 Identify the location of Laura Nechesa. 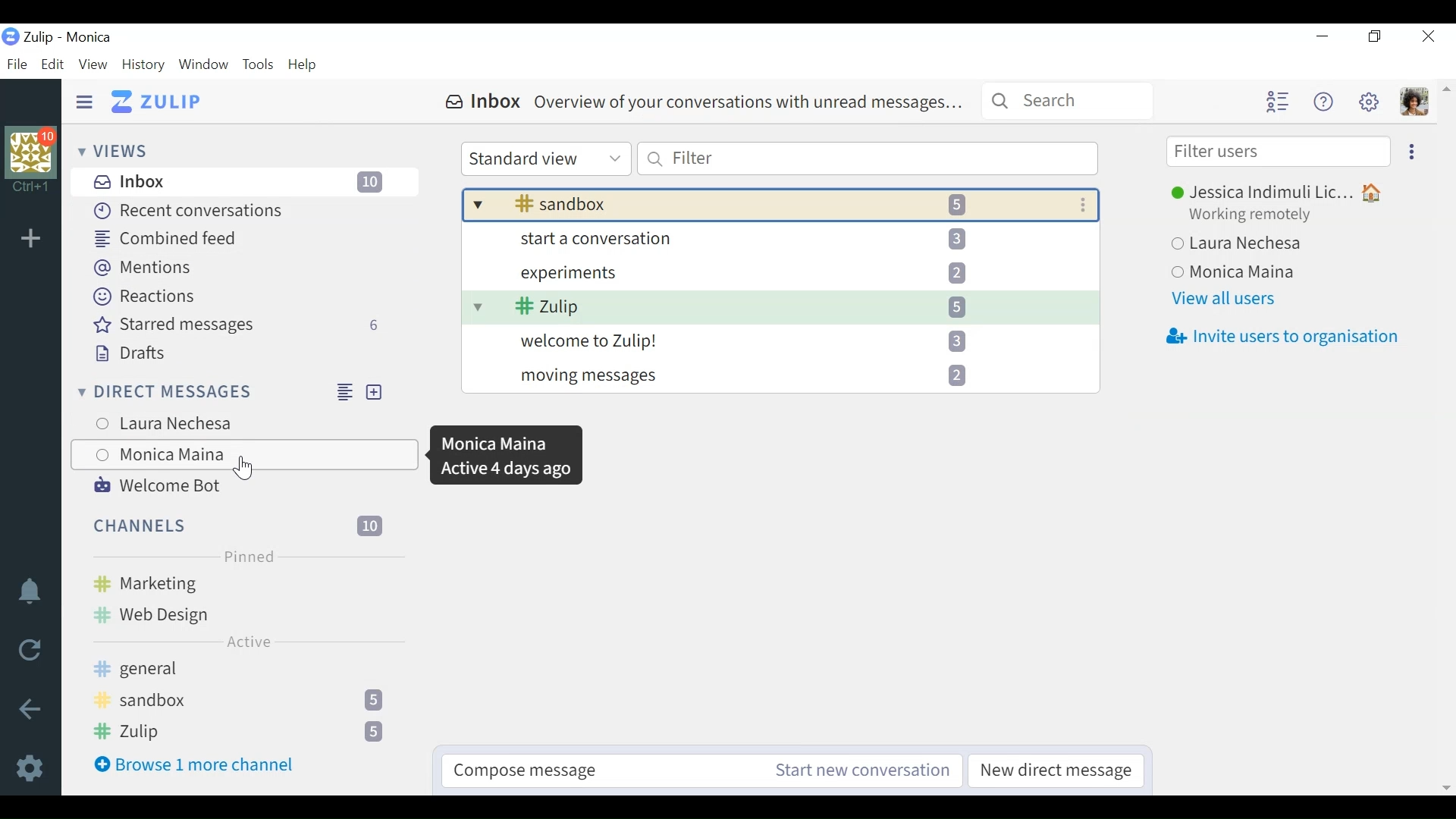
(207, 420).